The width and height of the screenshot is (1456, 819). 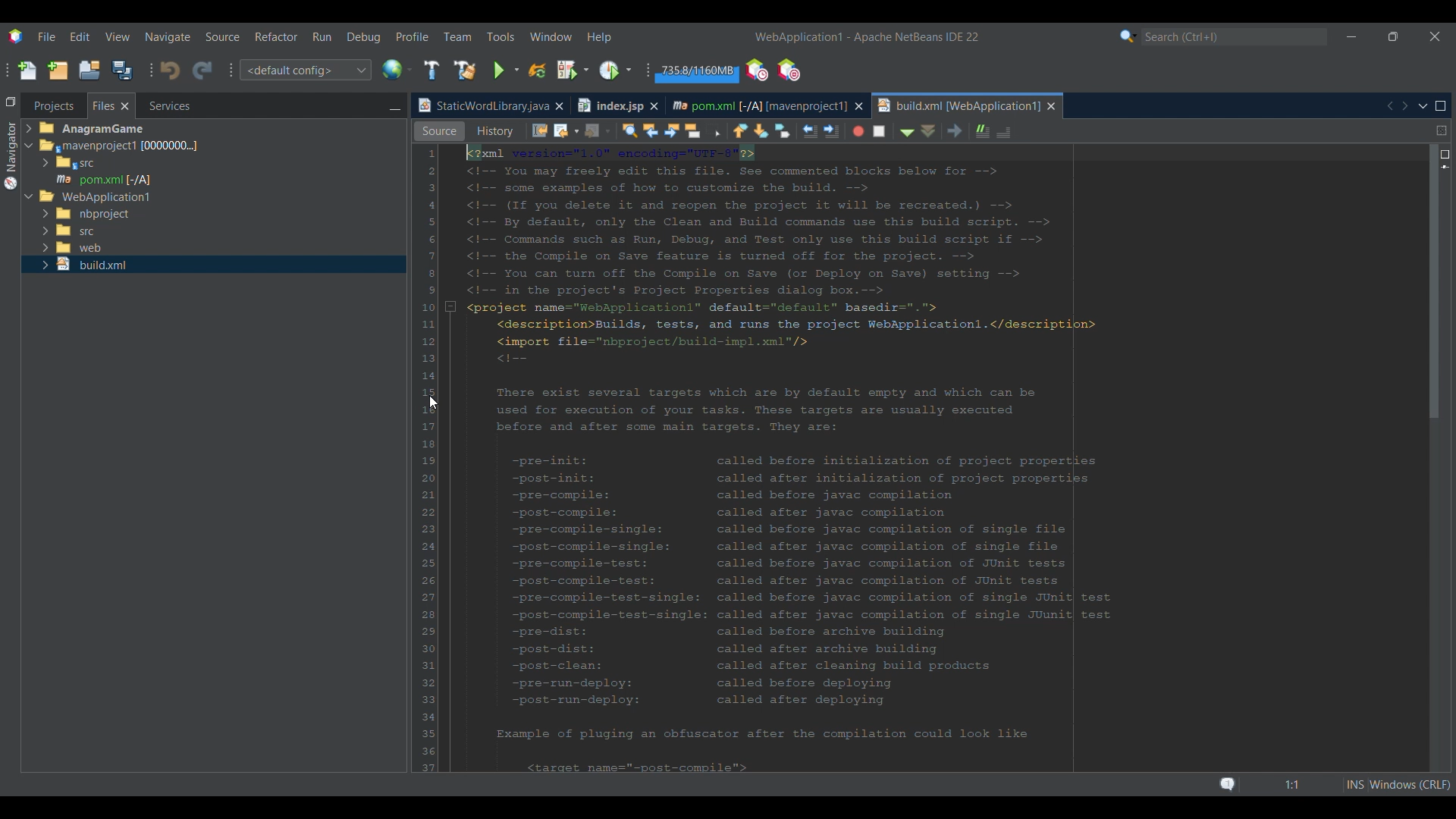 I want to click on Minimize, so click(x=1351, y=37).